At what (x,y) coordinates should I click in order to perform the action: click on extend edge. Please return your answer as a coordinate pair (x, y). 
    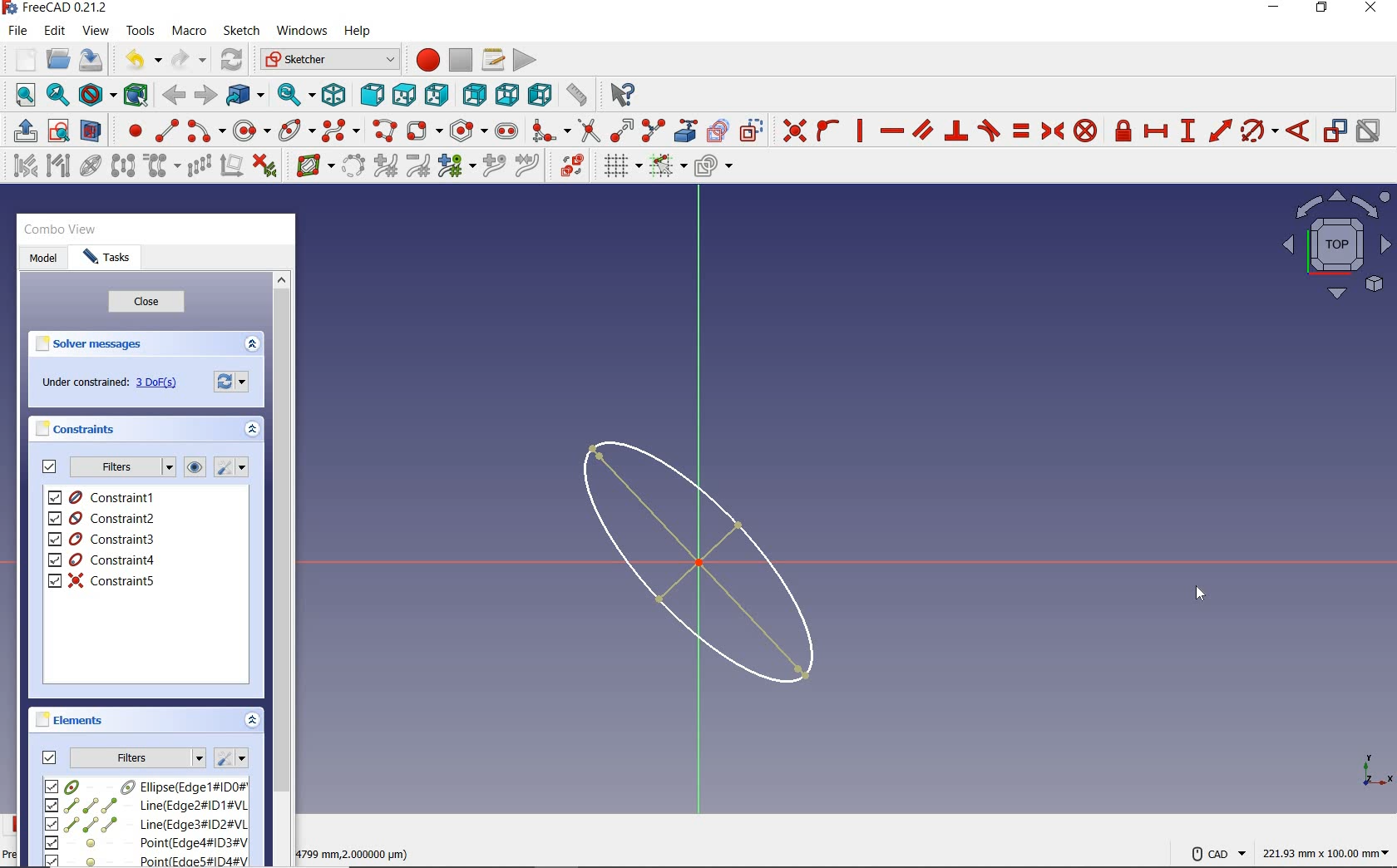
    Looking at the image, I should click on (622, 129).